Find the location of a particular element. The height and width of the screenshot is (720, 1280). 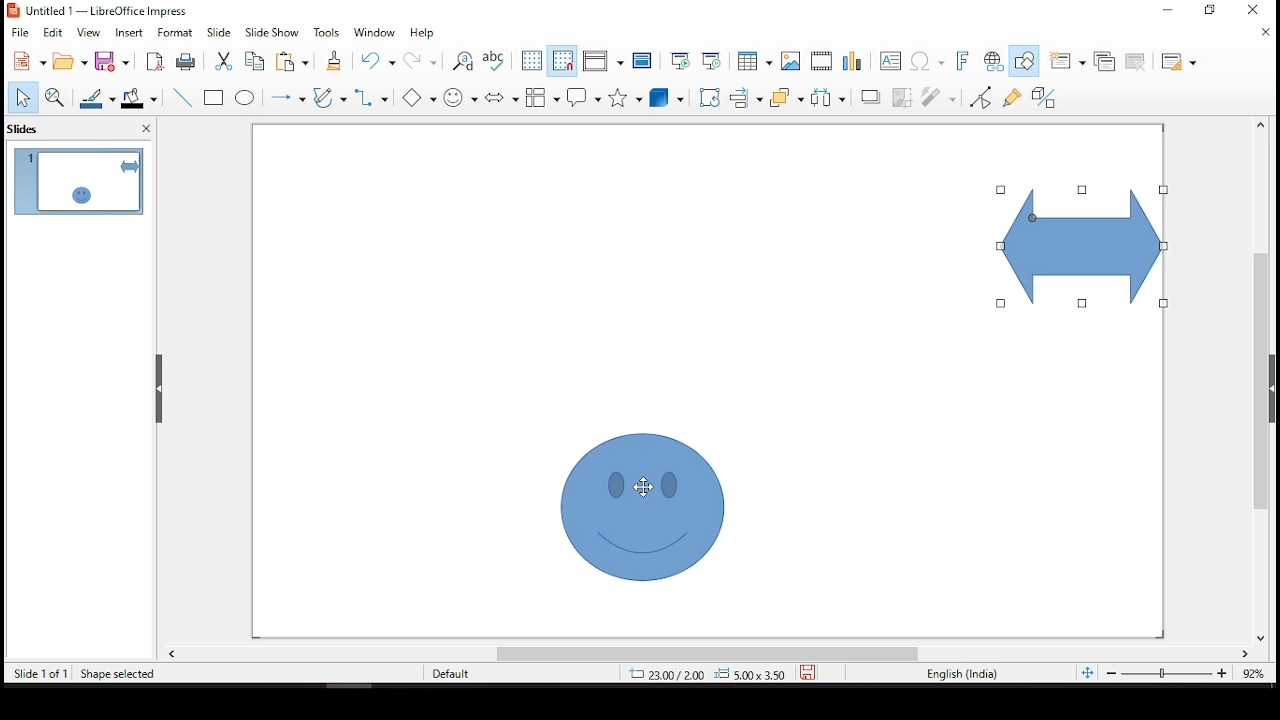

format is located at coordinates (178, 33).